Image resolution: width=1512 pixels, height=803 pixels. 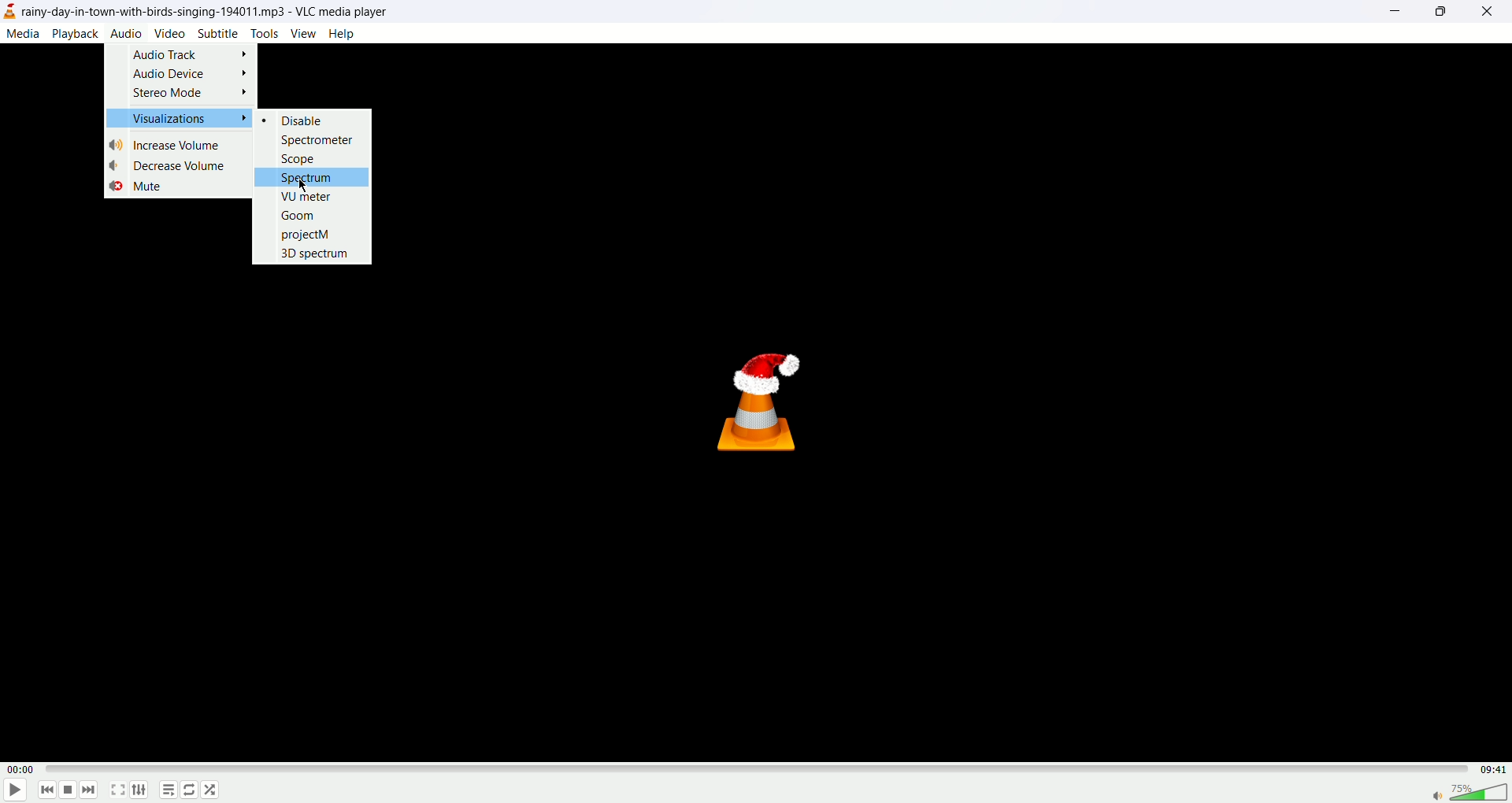 What do you see at coordinates (190, 791) in the screenshot?
I see `loop` at bounding box center [190, 791].